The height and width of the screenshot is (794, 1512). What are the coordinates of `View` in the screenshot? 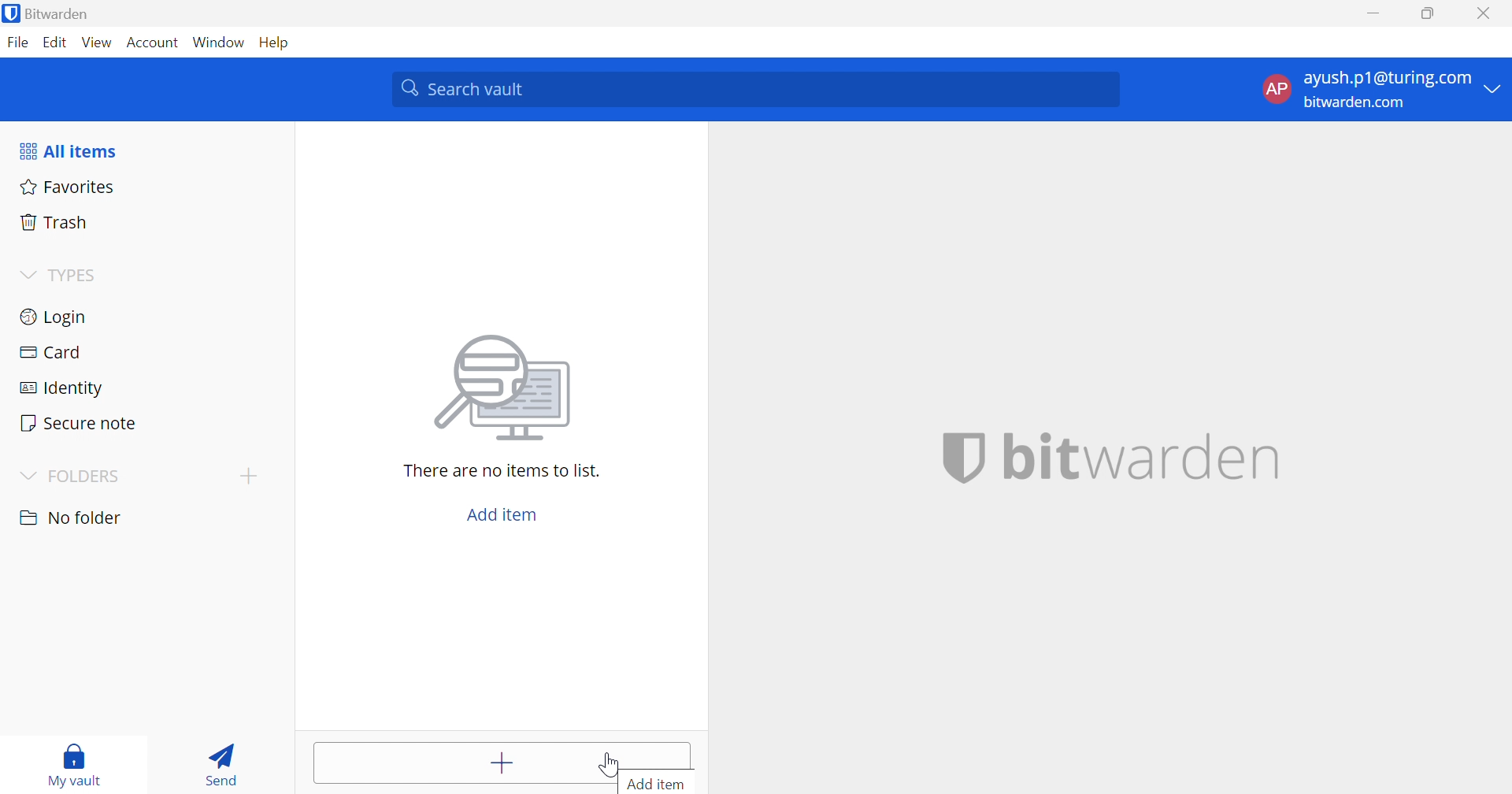 It's located at (100, 43).